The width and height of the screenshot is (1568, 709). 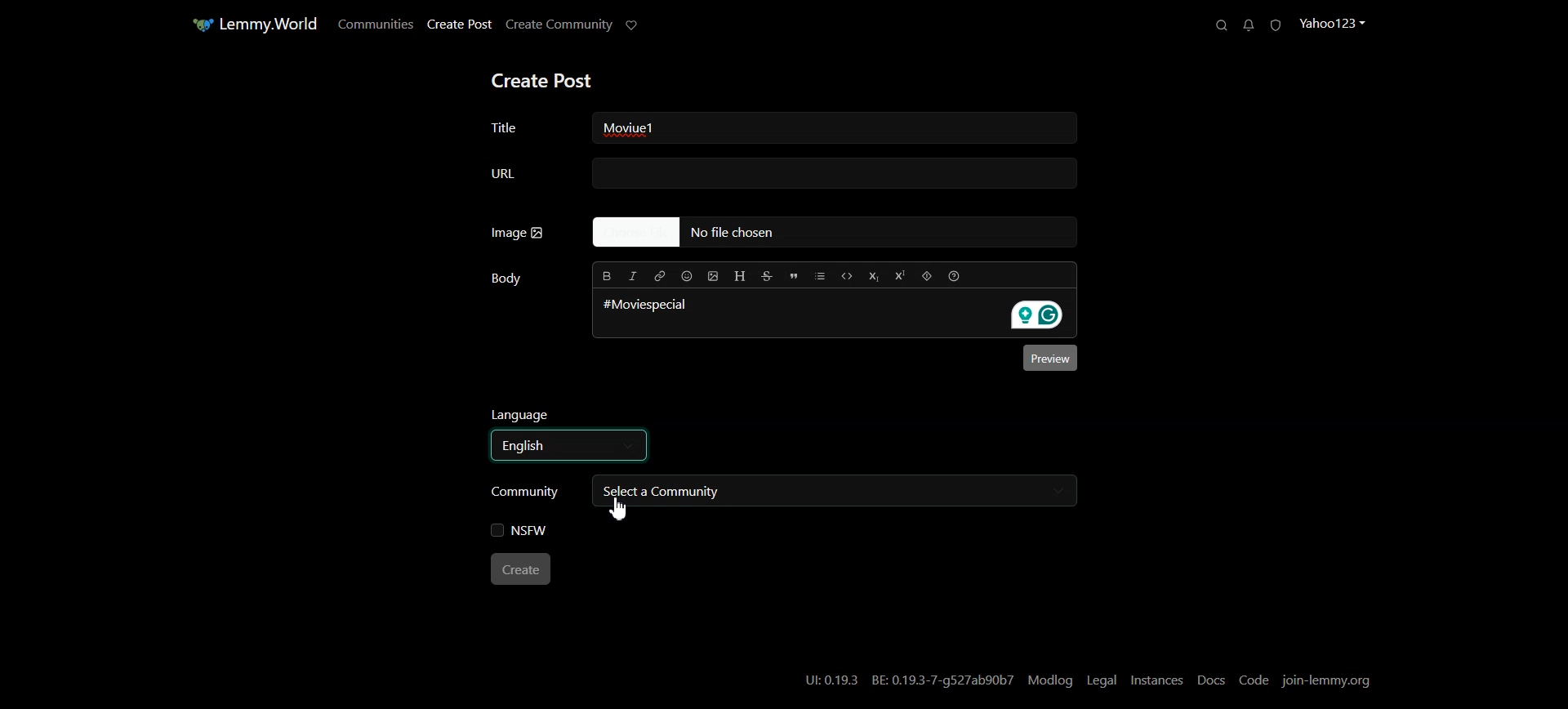 What do you see at coordinates (688, 276) in the screenshot?
I see `Insert Emoji` at bounding box center [688, 276].